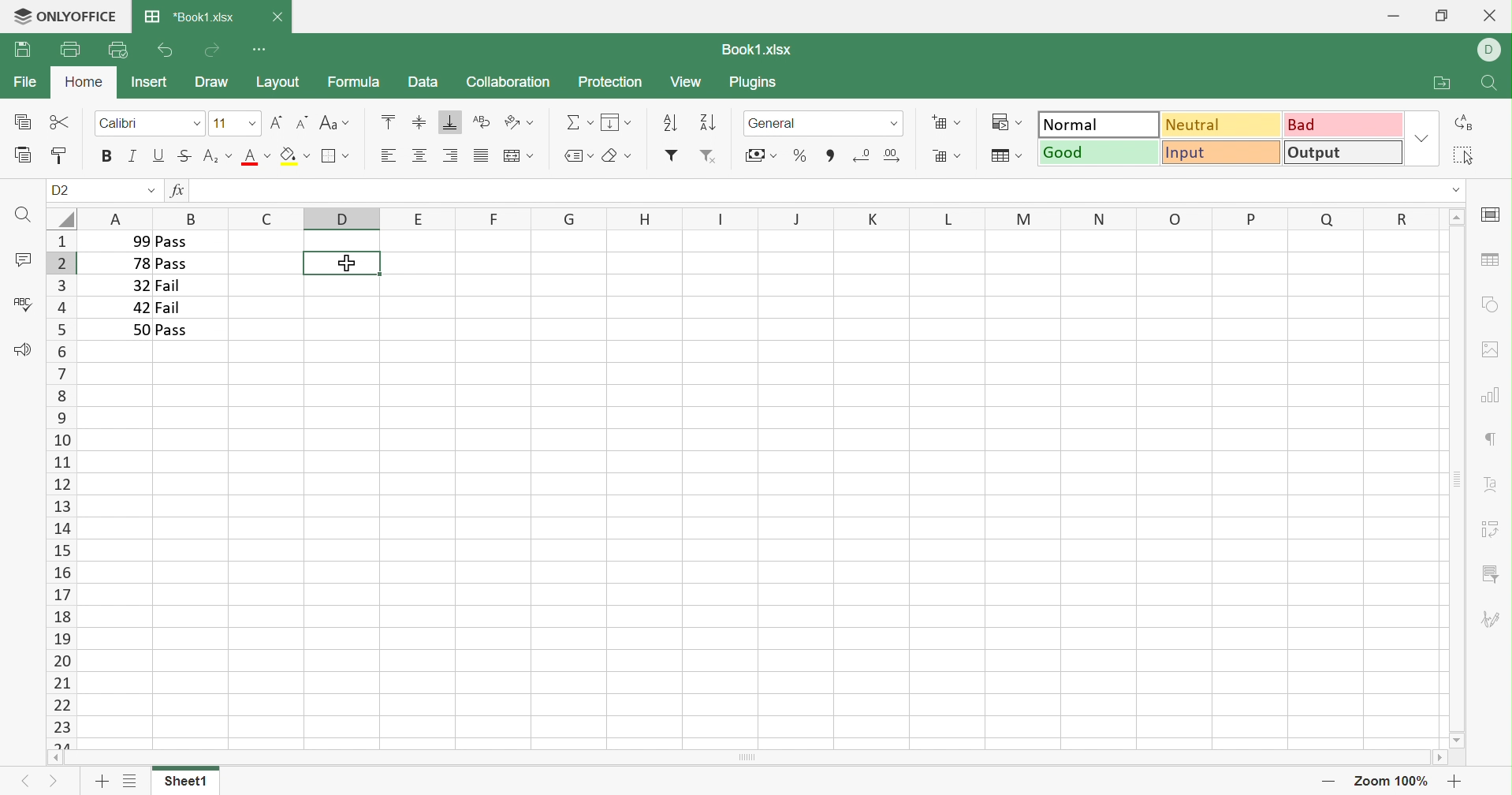 The width and height of the screenshot is (1512, 795). I want to click on logo, so click(18, 15).